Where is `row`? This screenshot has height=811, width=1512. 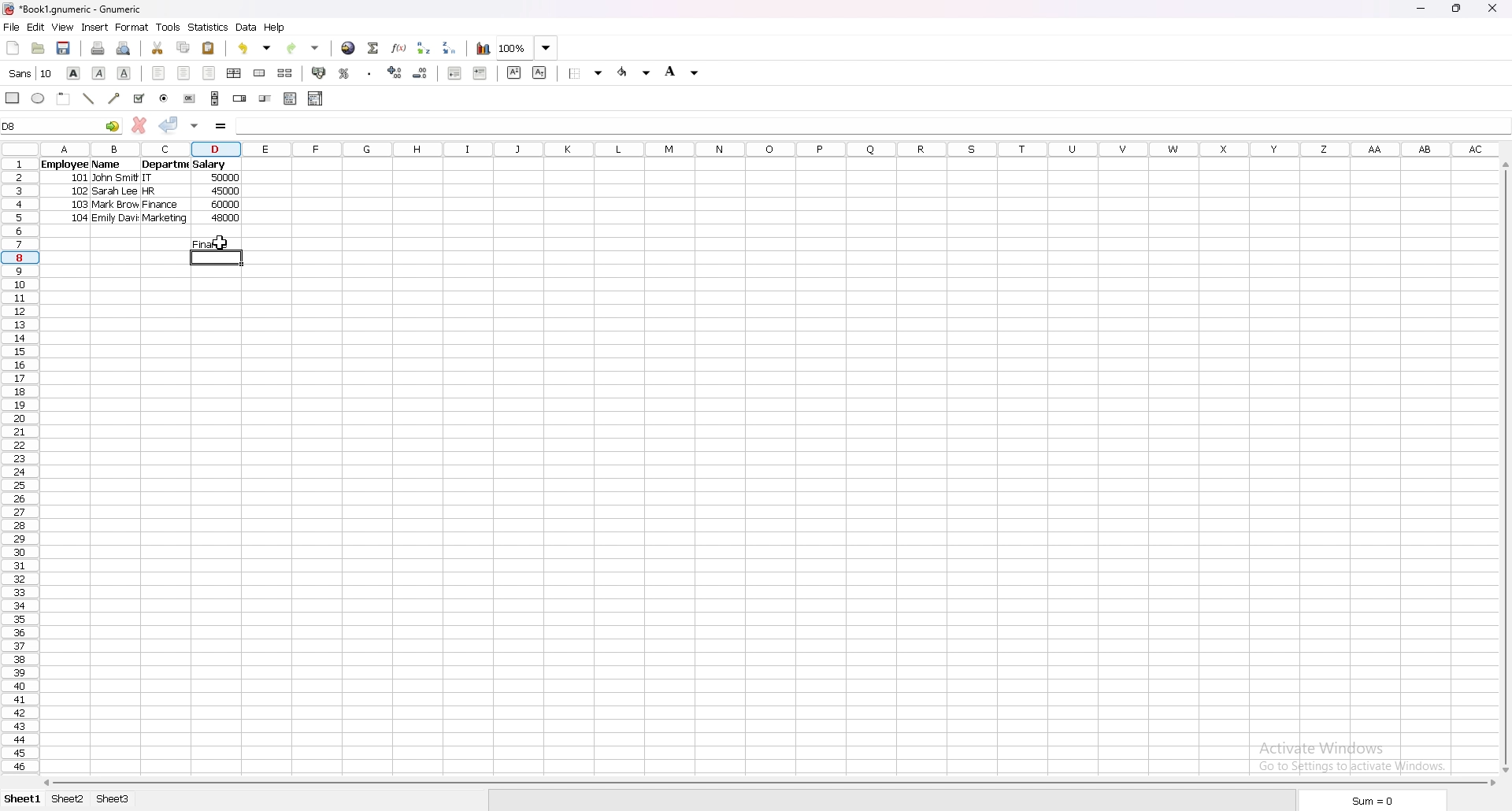 row is located at coordinates (17, 466).